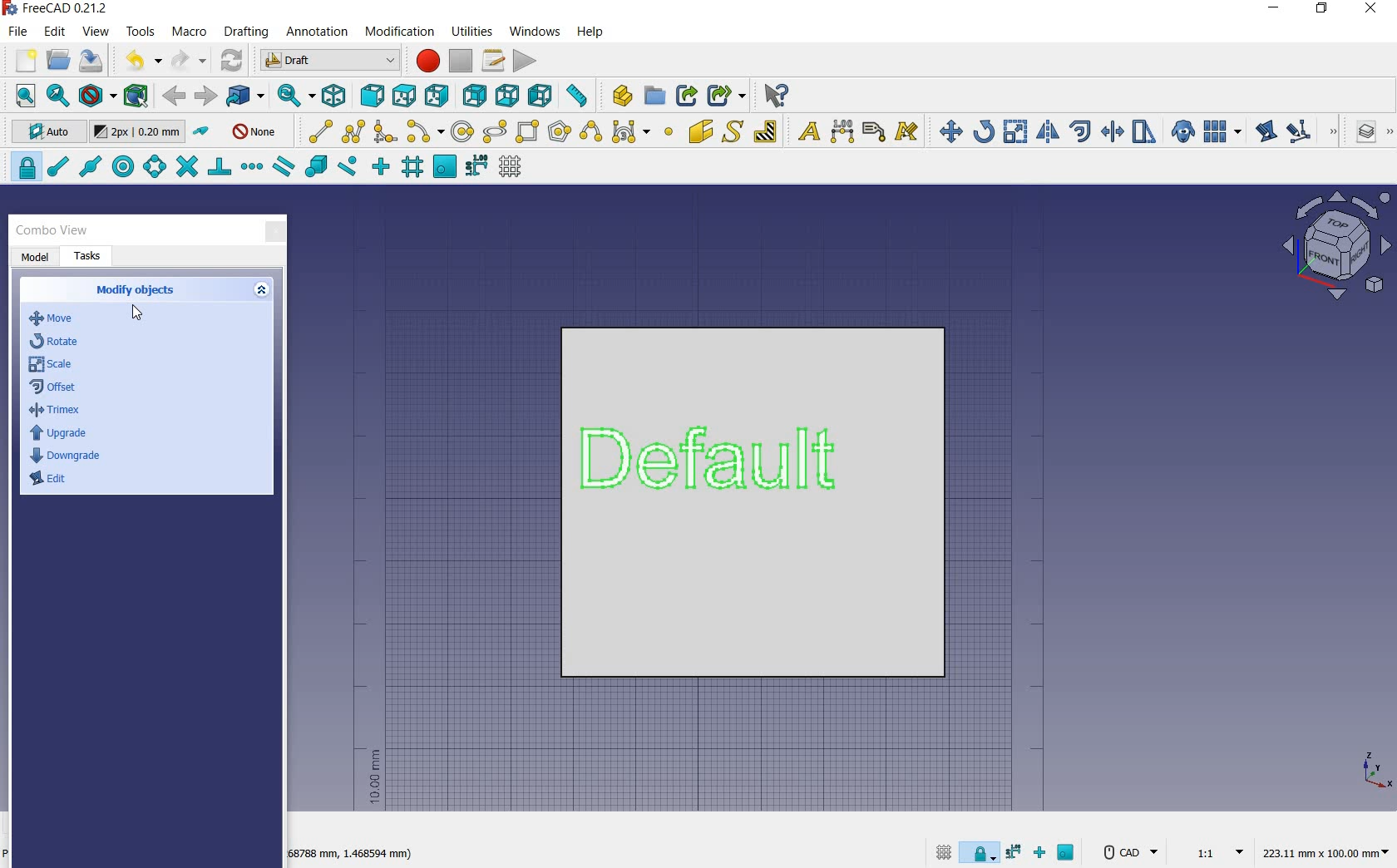 Image resolution: width=1397 pixels, height=868 pixels. I want to click on modification, so click(402, 33).